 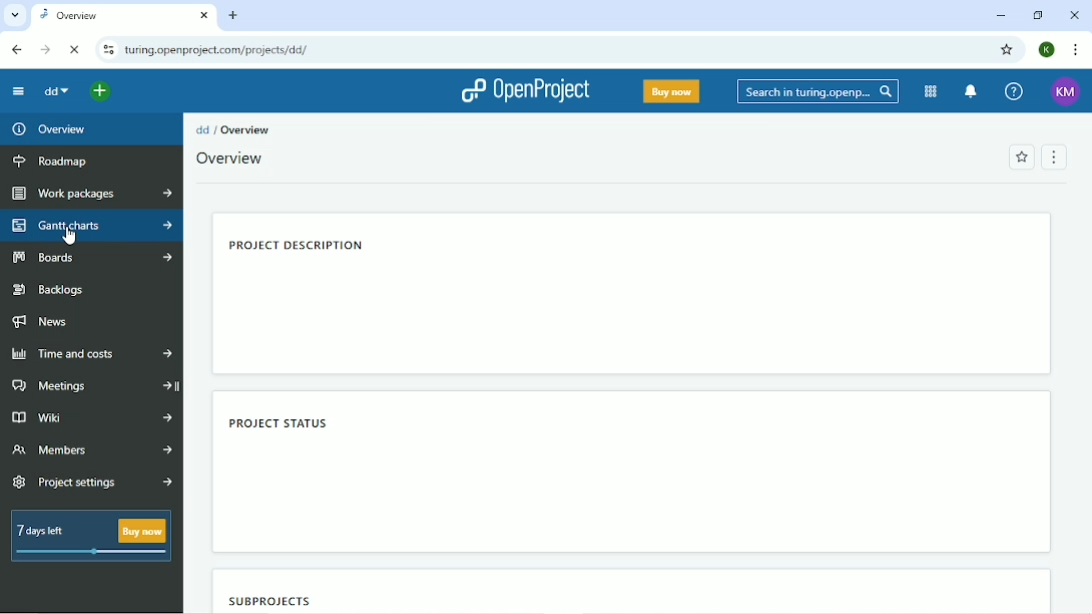 What do you see at coordinates (89, 355) in the screenshot?
I see `Time and costs` at bounding box center [89, 355].